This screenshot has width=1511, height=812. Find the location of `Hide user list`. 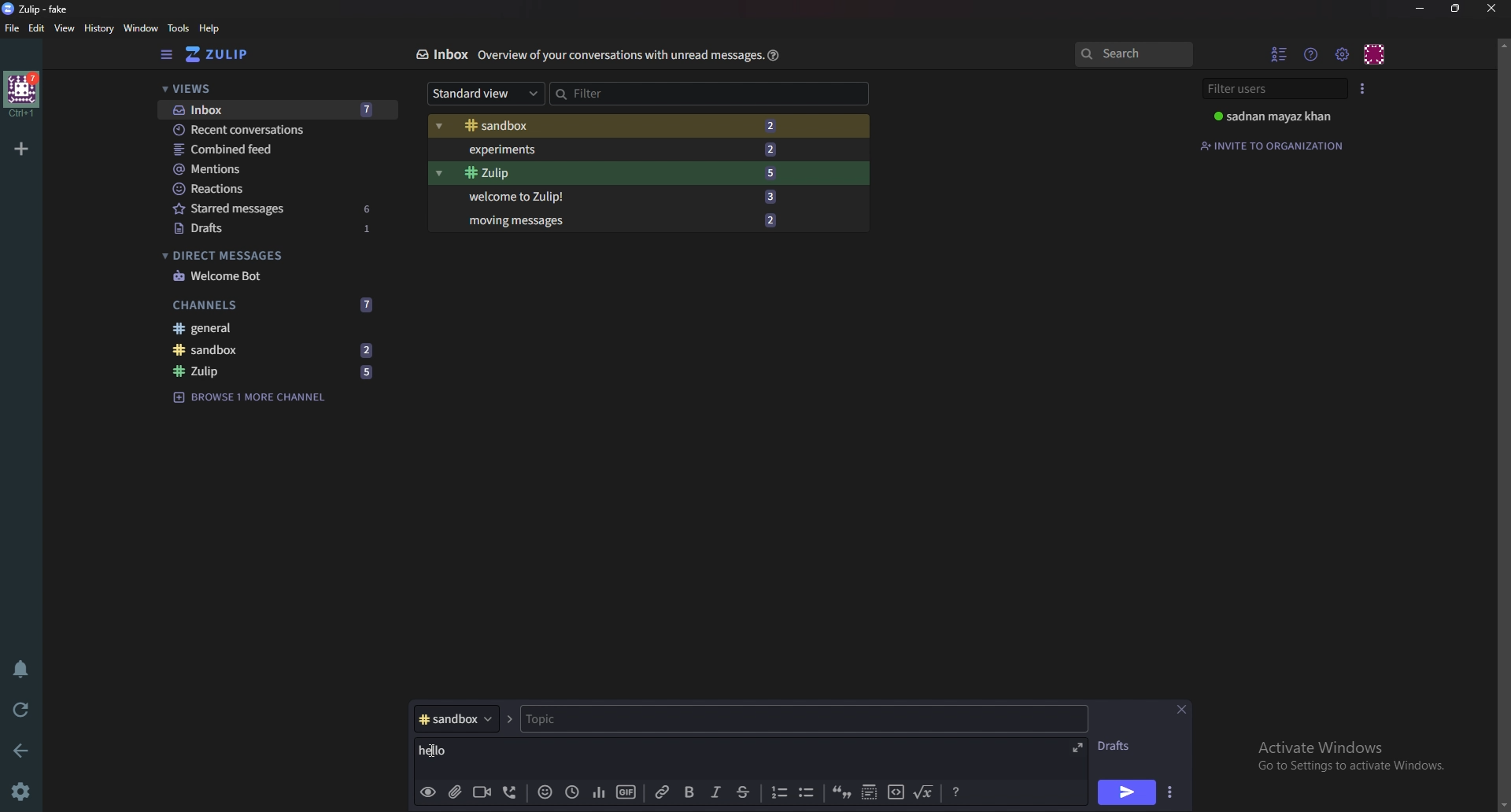

Hide user list is located at coordinates (1279, 54).